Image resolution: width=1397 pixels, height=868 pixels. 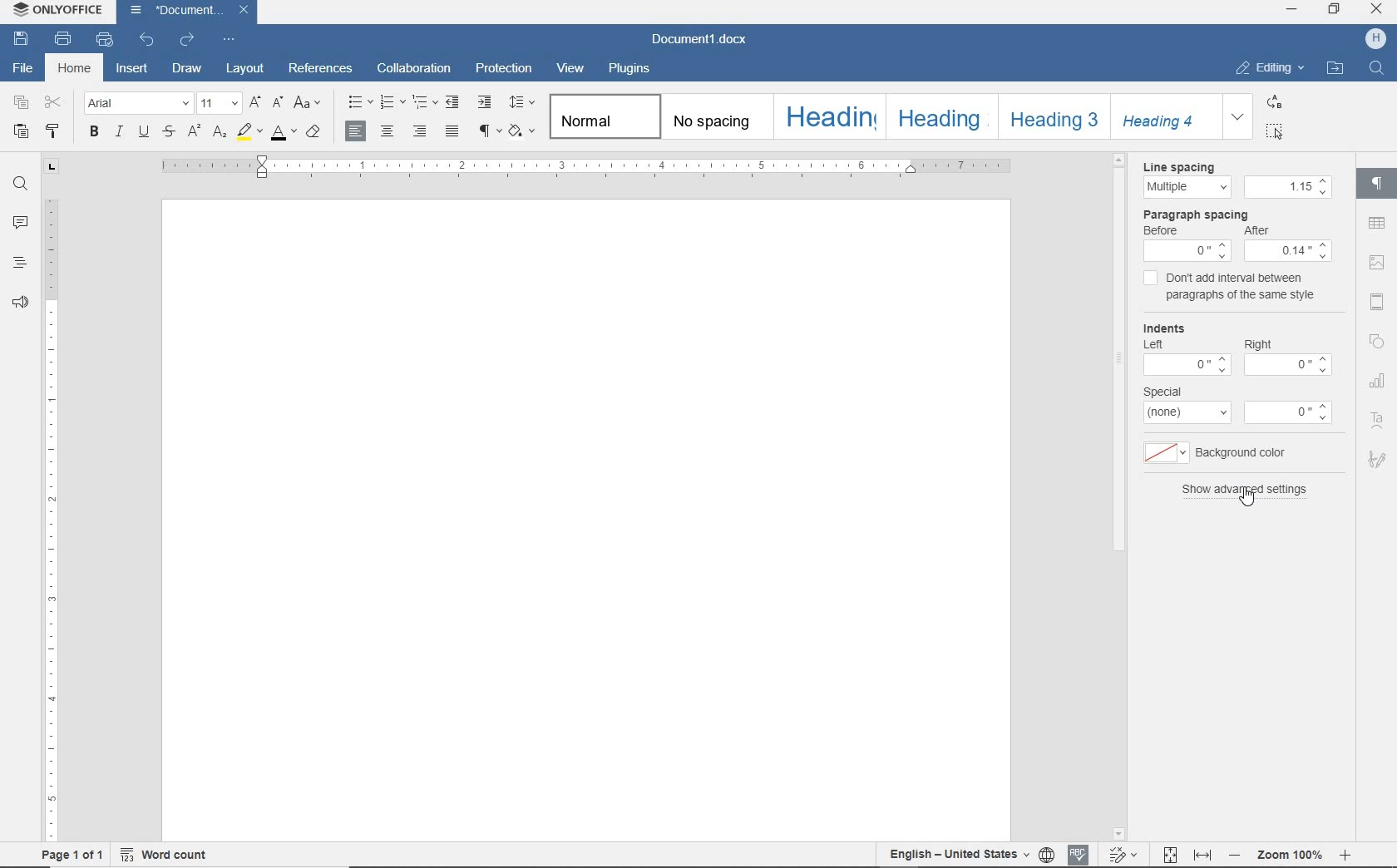 What do you see at coordinates (1377, 380) in the screenshot?
I see `chart` at bounding box center [1377, 380].